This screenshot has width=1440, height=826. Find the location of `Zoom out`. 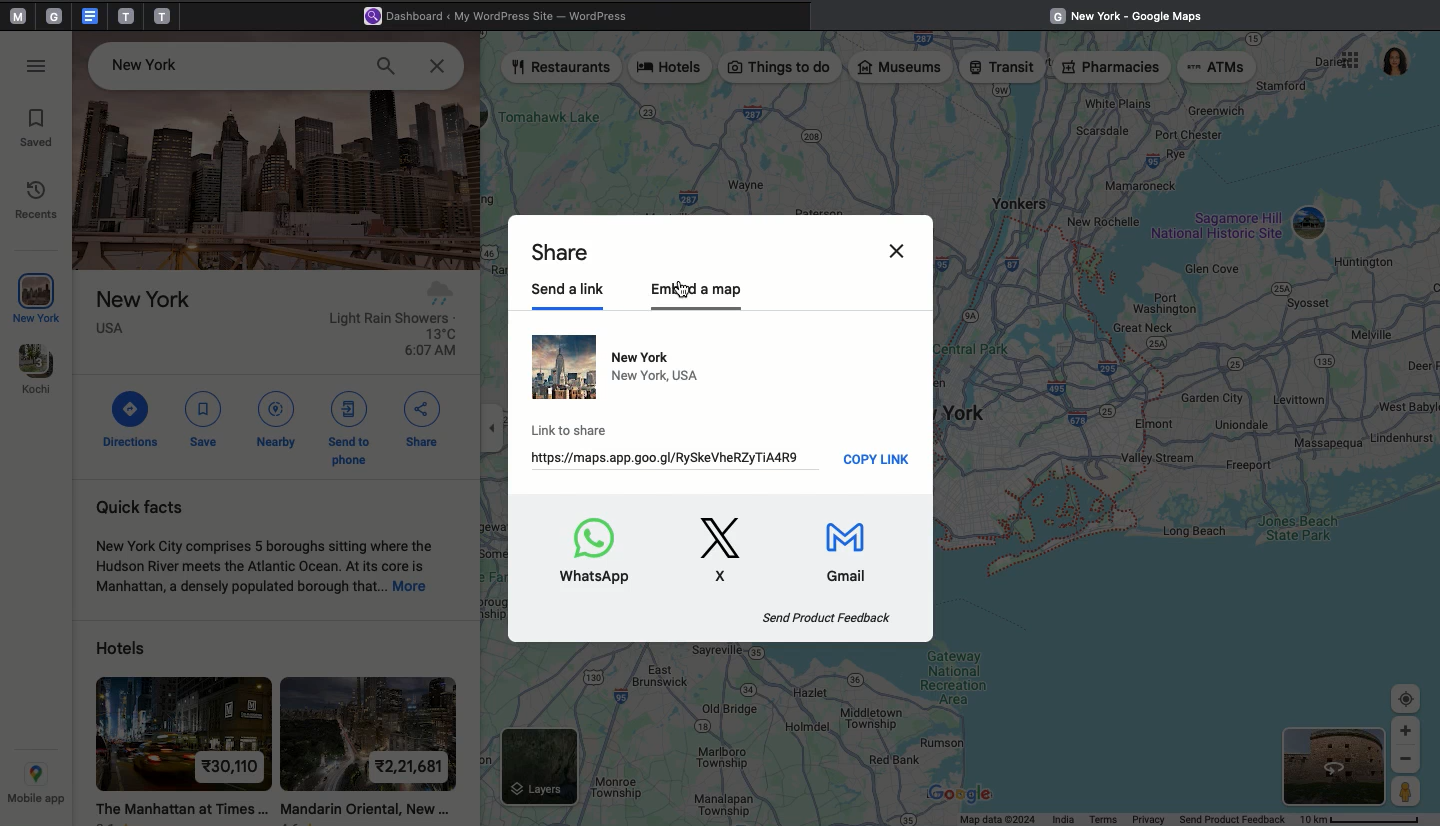

Zoom out is located at coordinates (1406, 761).